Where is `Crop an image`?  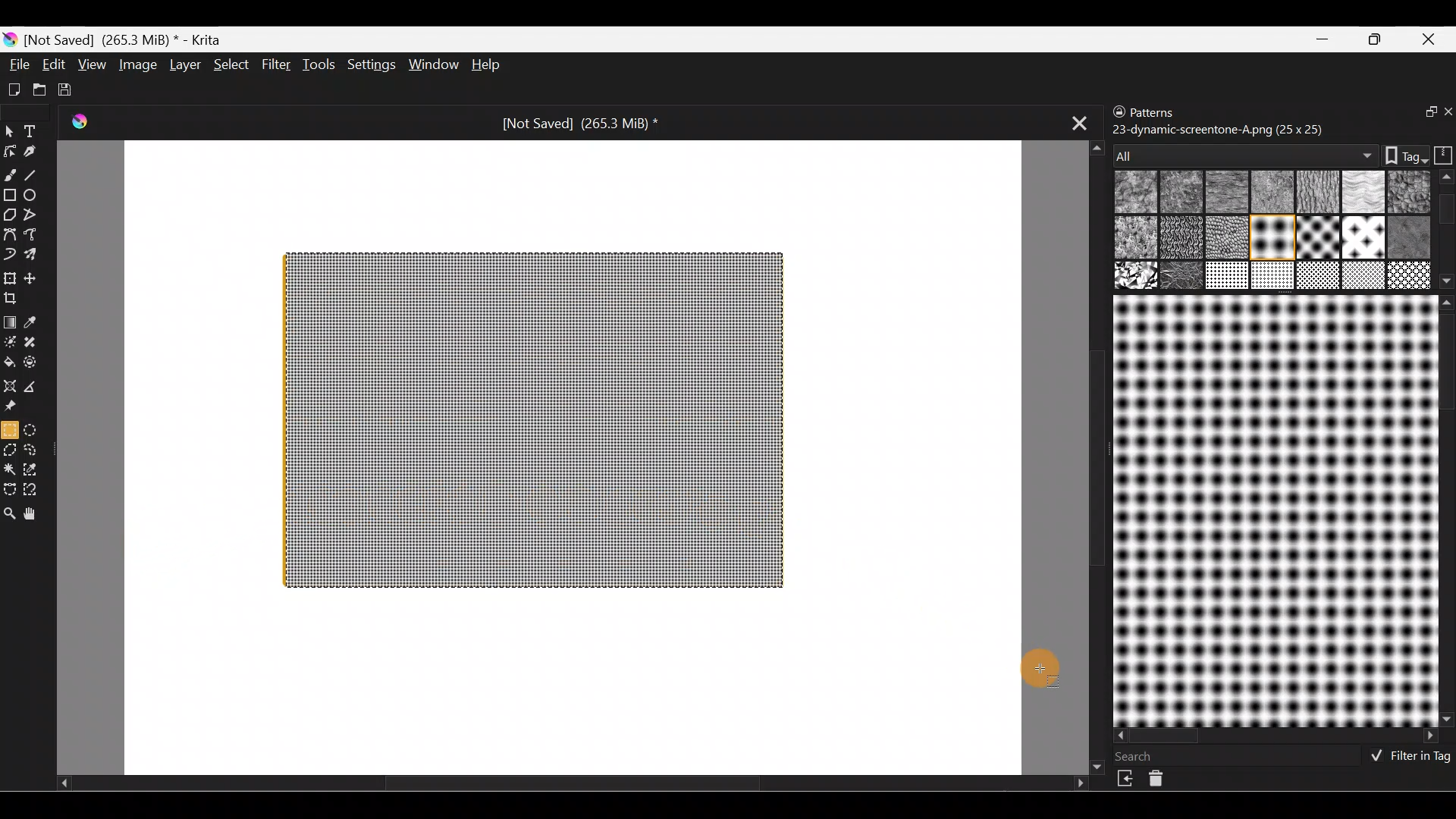 Crop an image is located at coordinates (17, 302).